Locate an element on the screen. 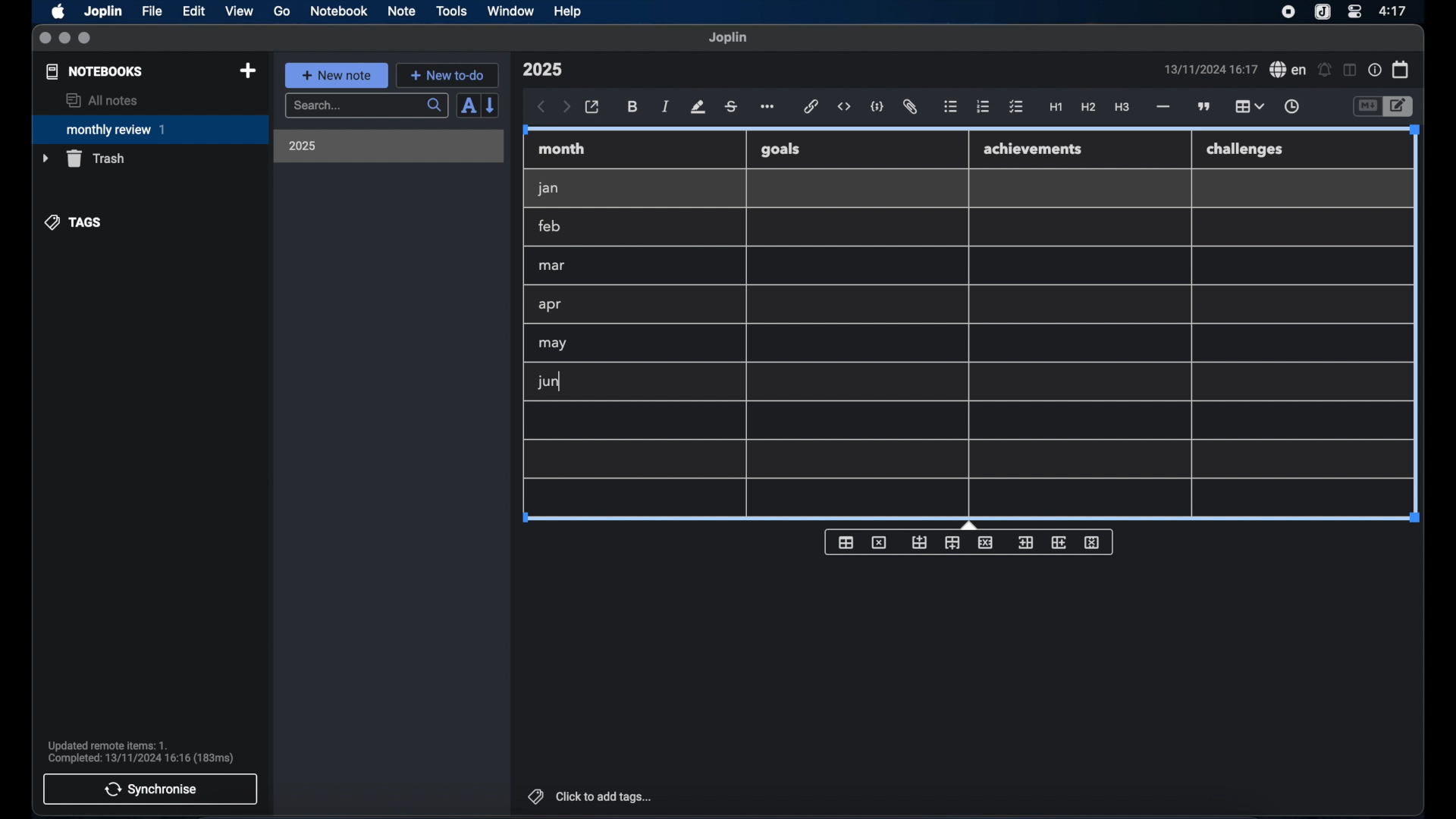  achievements is located at coordinates (1034, 149).